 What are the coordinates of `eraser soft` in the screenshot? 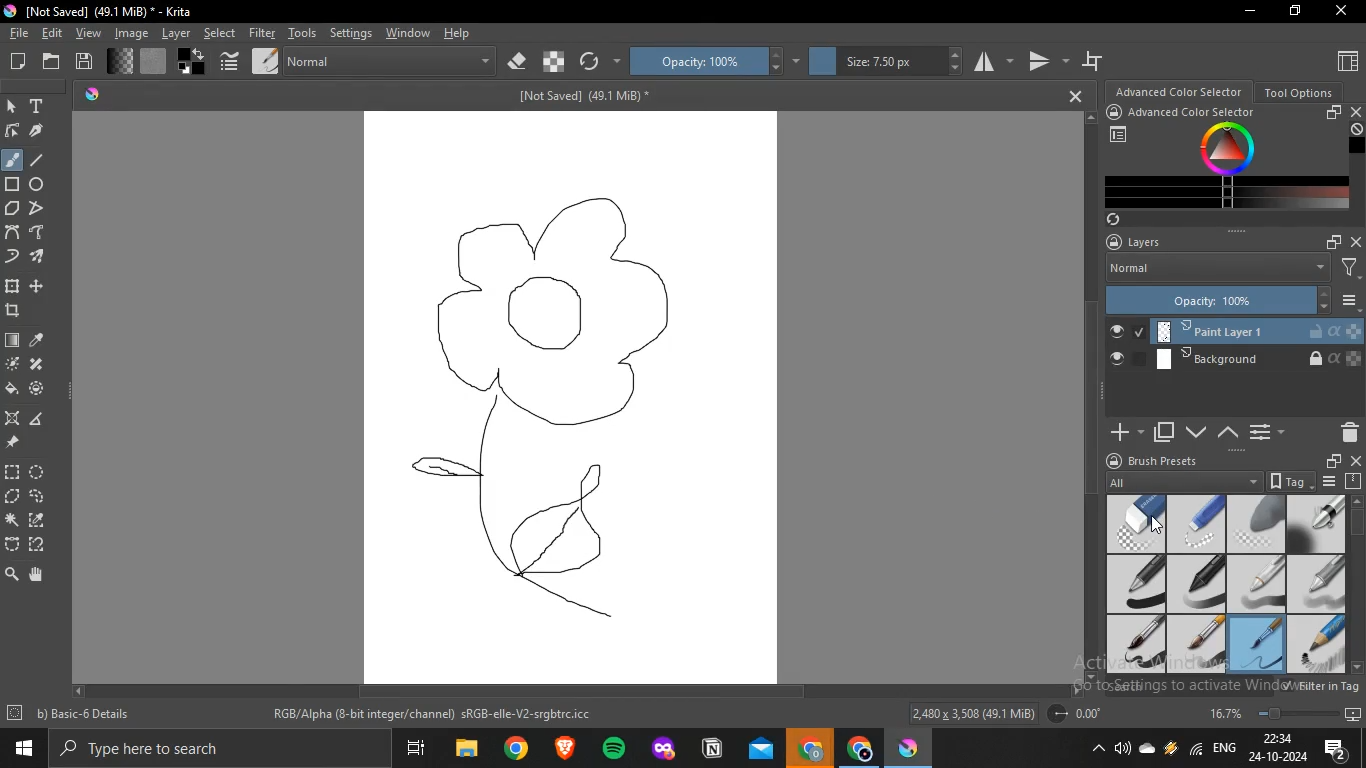 It's located at (1256, 524).